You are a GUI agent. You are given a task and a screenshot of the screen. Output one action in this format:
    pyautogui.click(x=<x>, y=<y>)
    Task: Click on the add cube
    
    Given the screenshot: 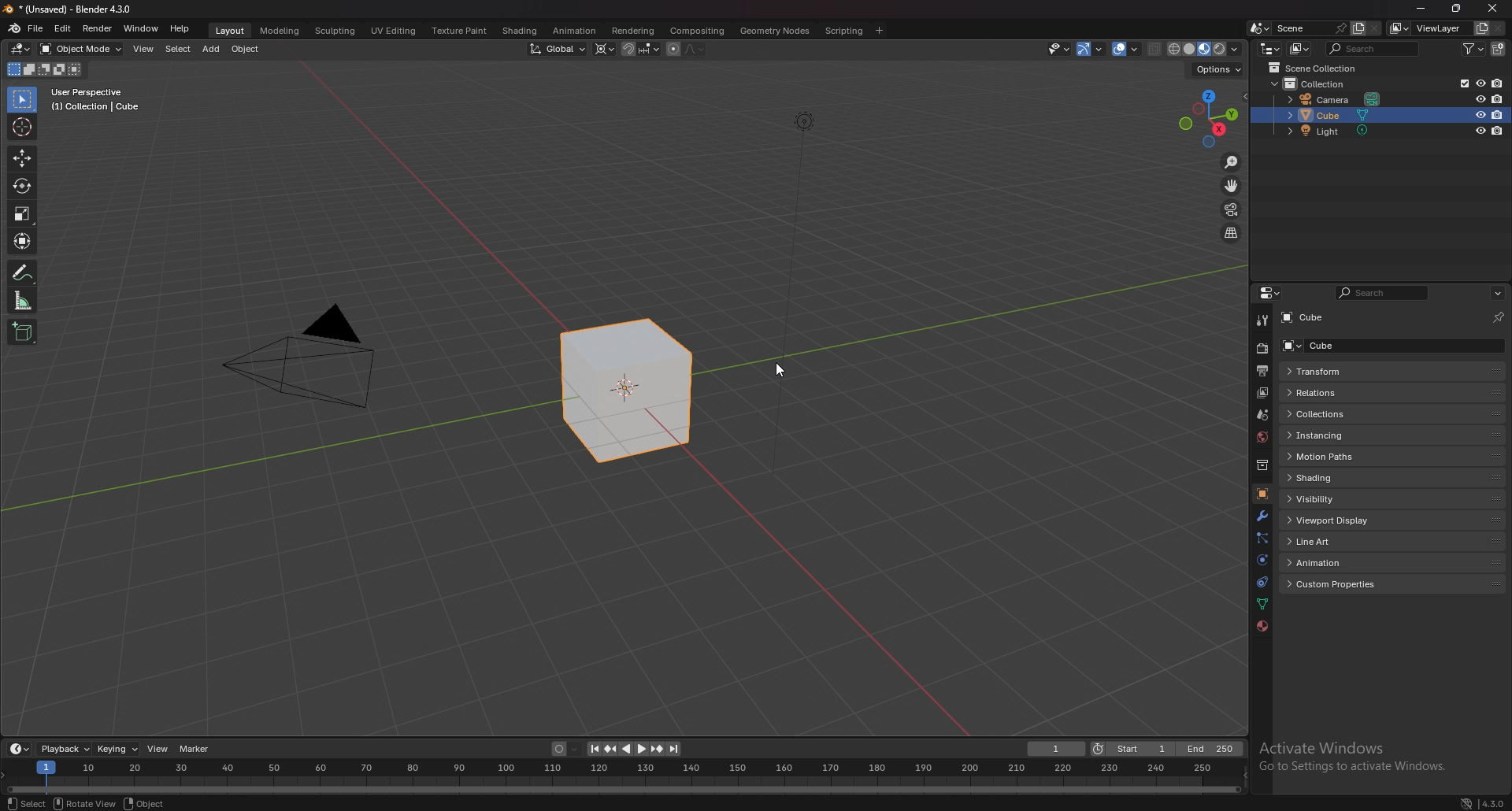 What is the action you would take?
    pyautogui.click(x=22, y=331)
    